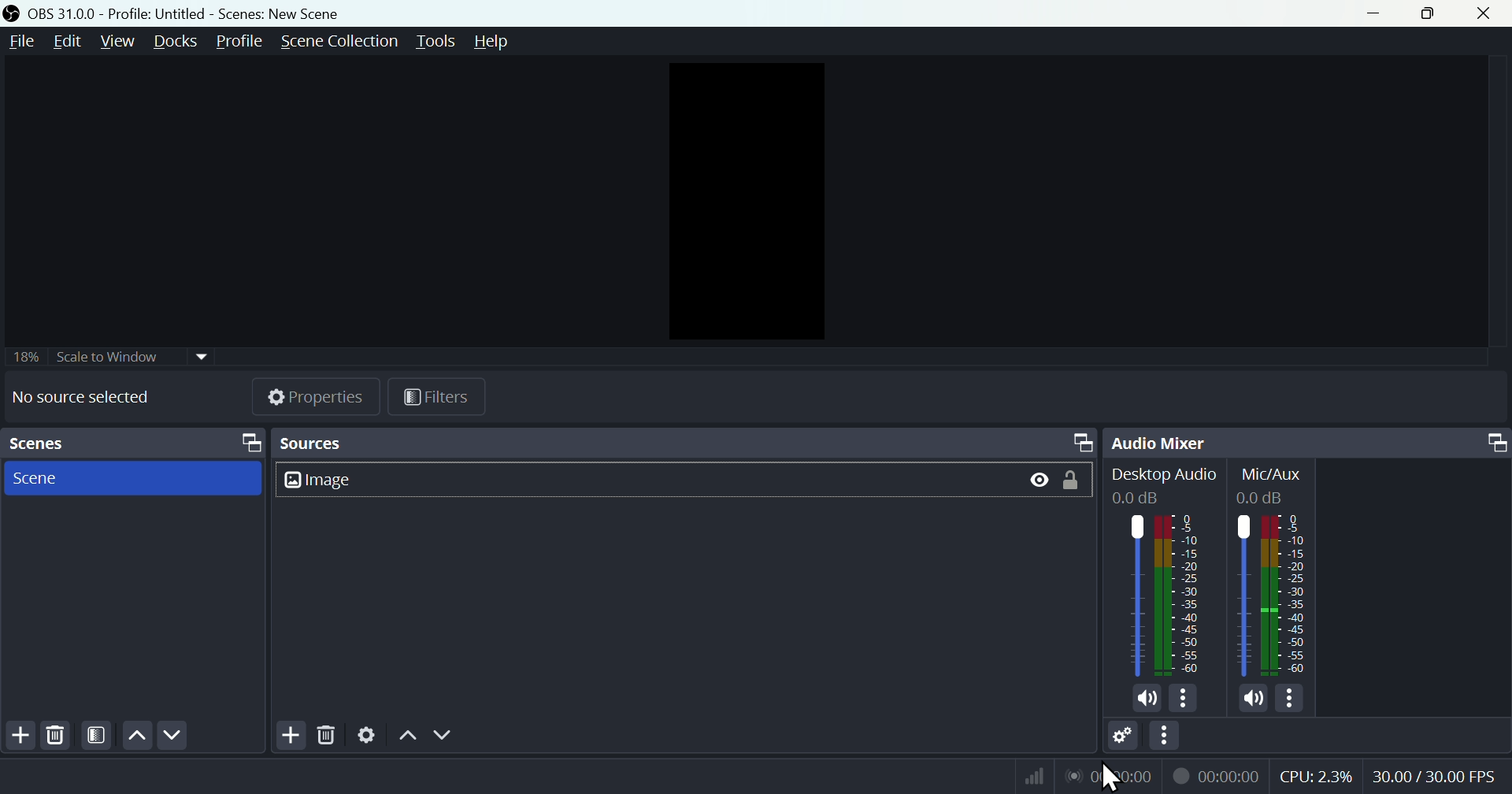 The width and height of the screenshot is (1512, 794). I want to click on View, so click(114, 42).